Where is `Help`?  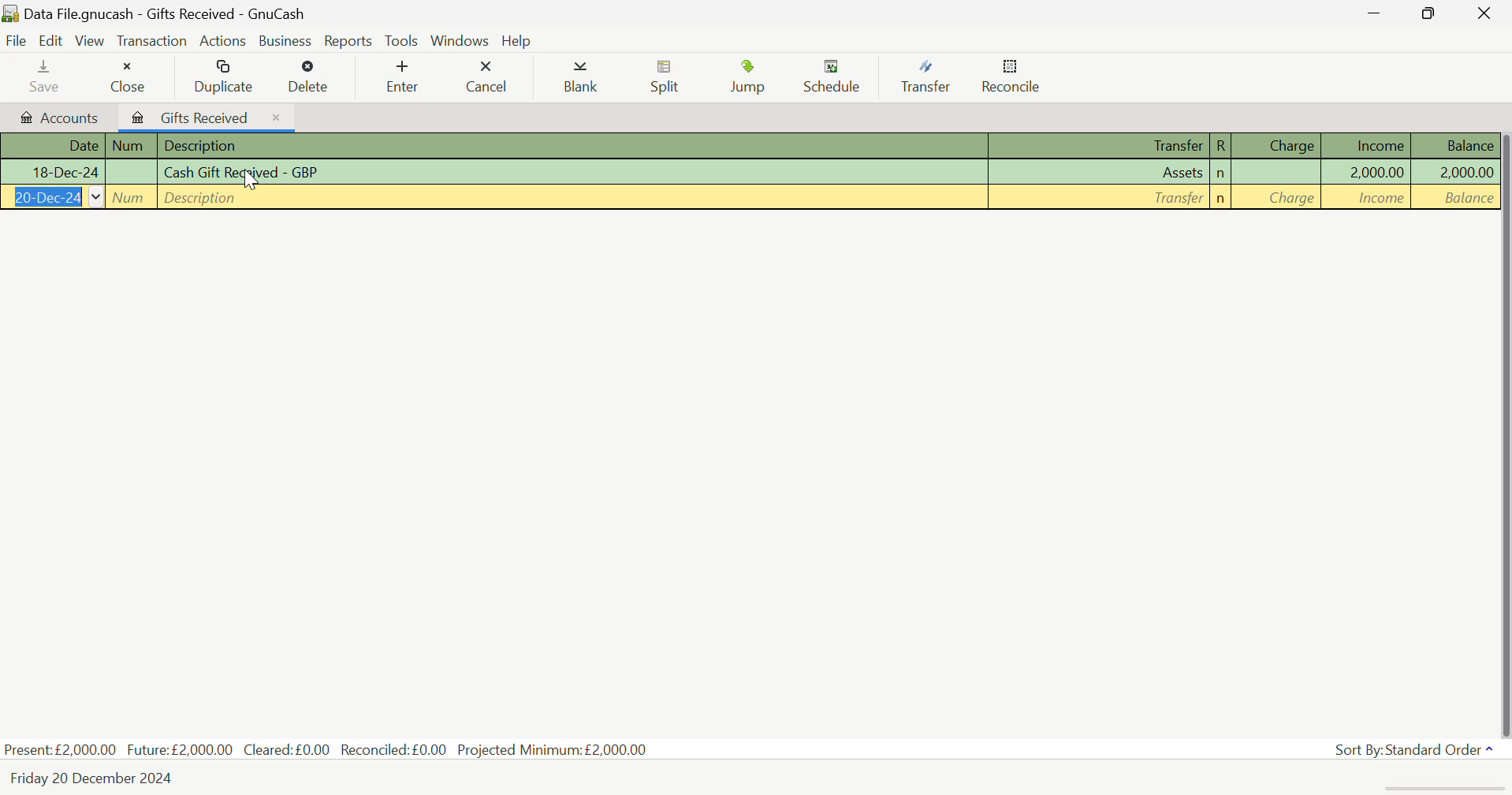
Help is located at coordinates (516, 39).